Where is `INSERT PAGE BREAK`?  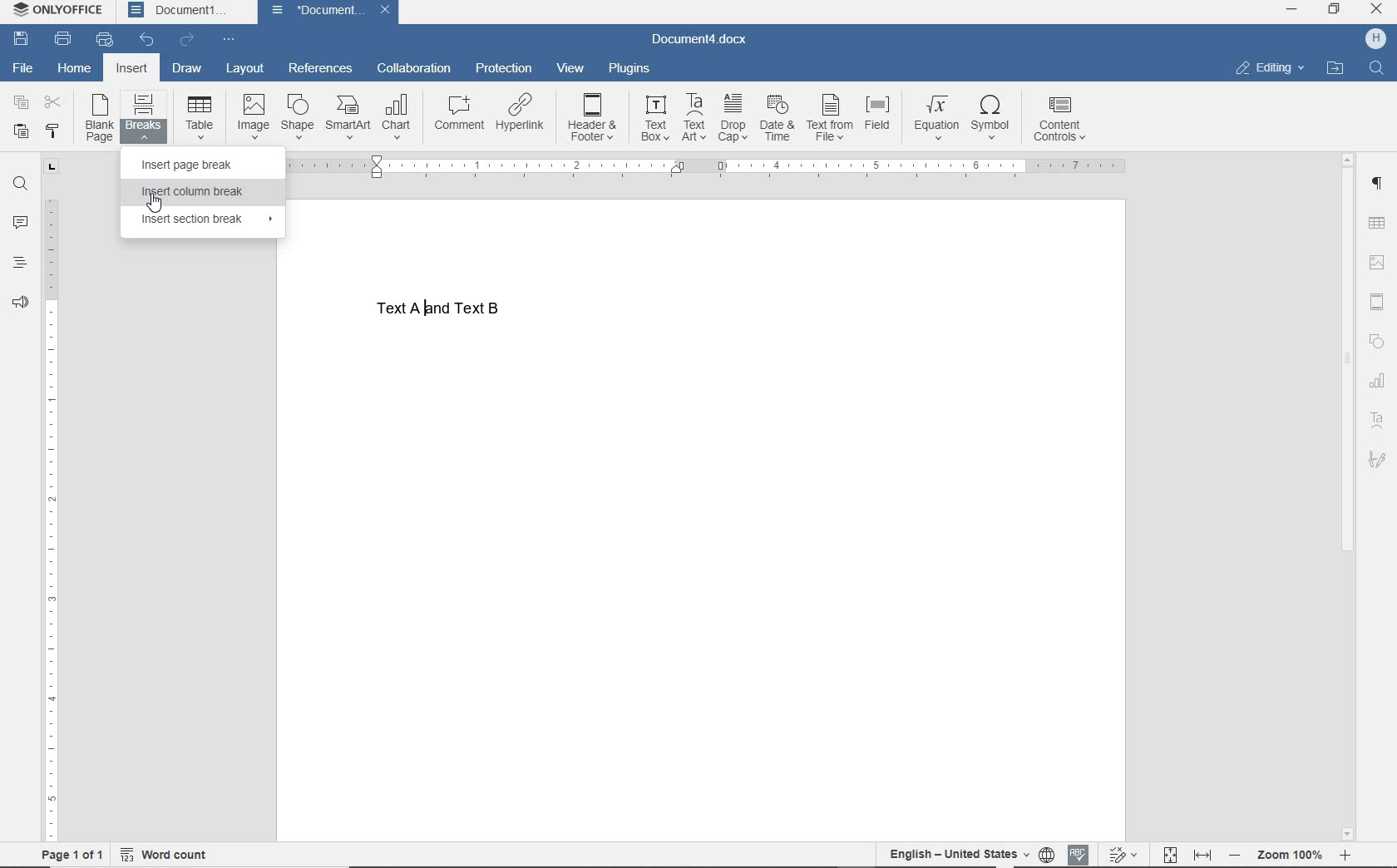 INSERT PAGE BREAK is located at coordinates (200, 166).